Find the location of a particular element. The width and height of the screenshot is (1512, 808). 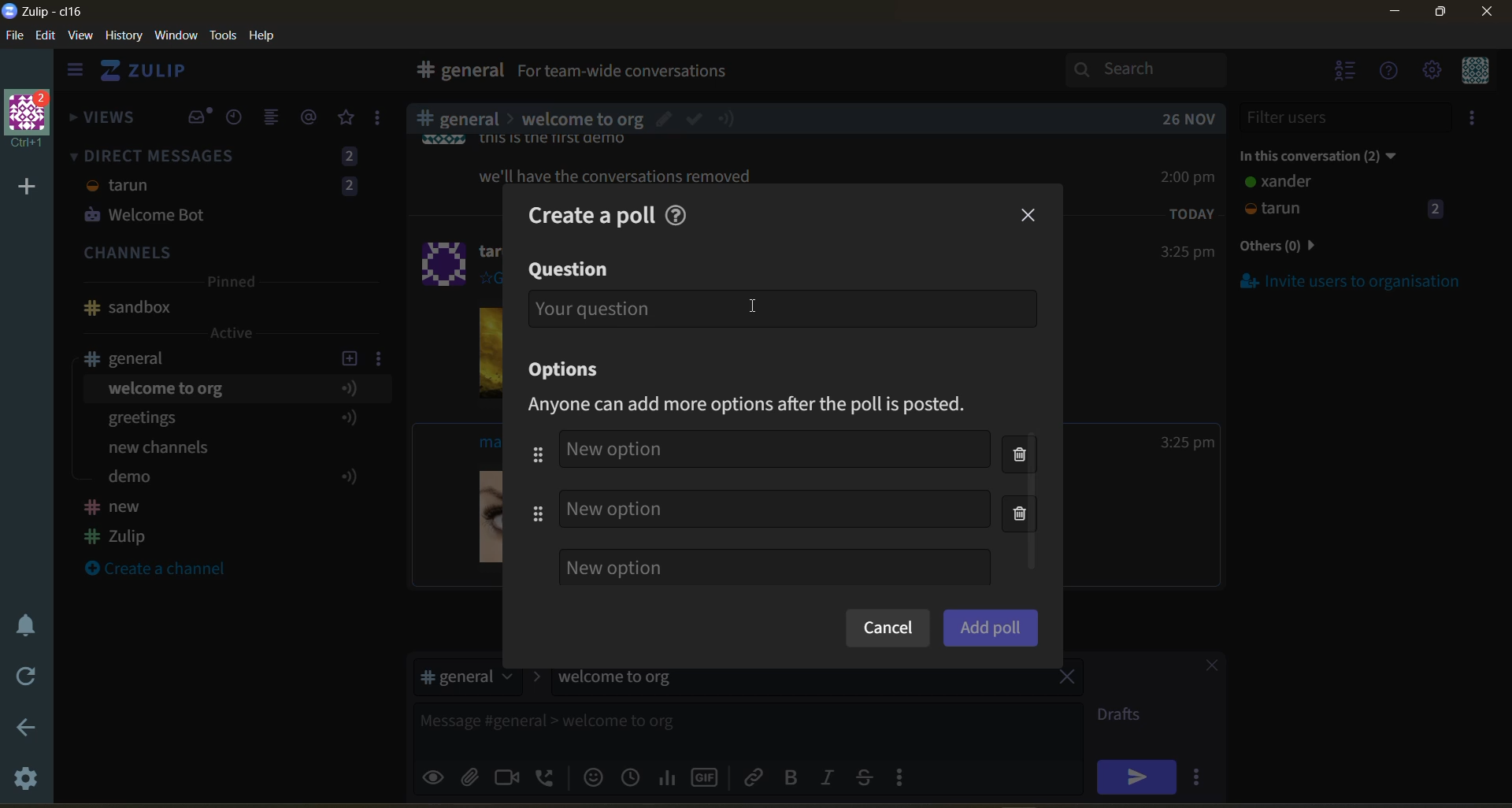

upload files is located at coordinates (475, 775).